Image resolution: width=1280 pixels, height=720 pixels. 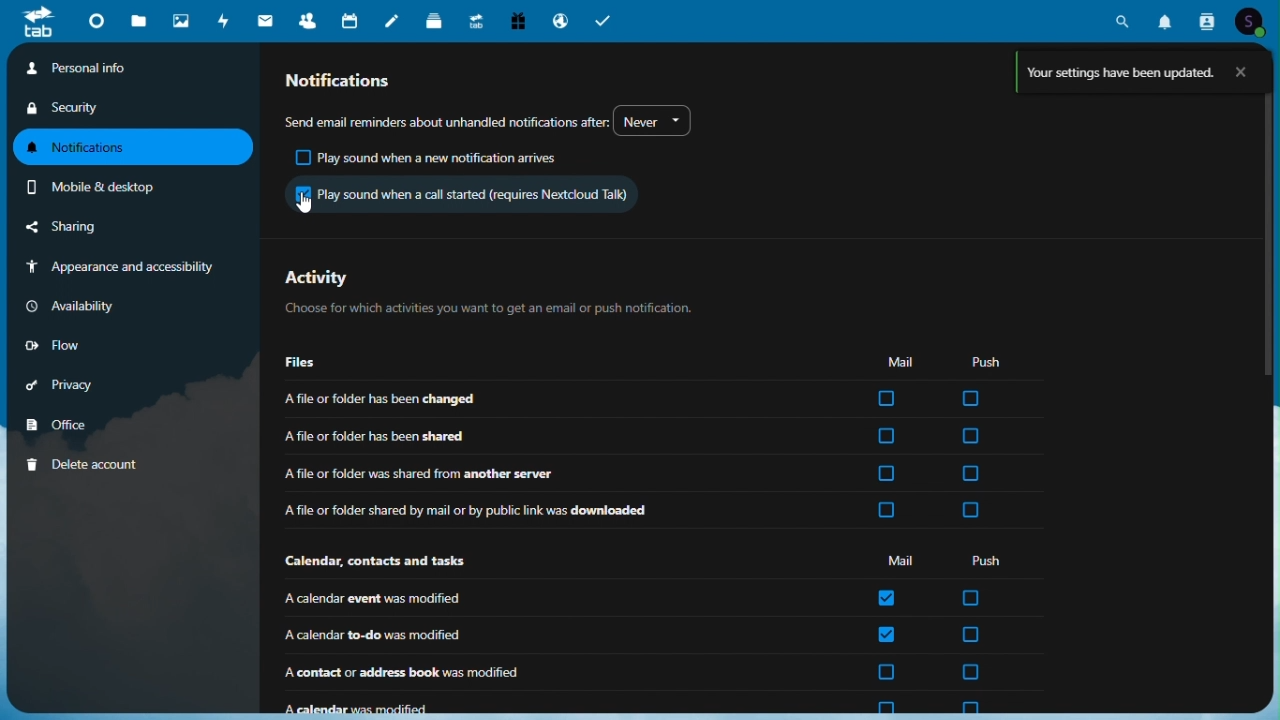 What do you see at coordinates (1140, 72) in the screenshot?
I see `Your settings has been updated` at bounding box center [1140, 72].